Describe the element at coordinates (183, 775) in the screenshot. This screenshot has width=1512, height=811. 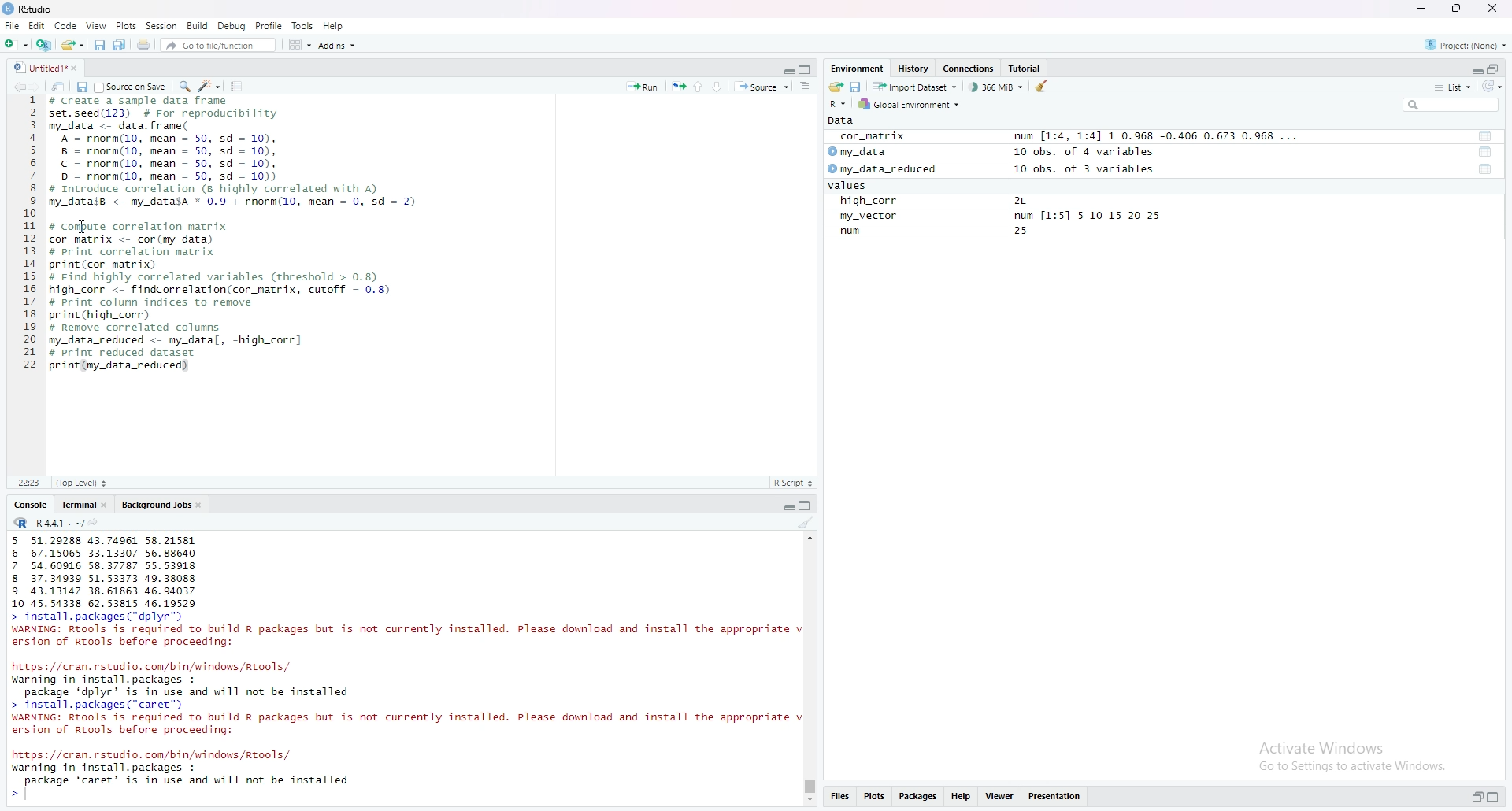
I see `https: //cran. rstudio. com/bin/windows/Rtools/
warning in install. packages :
package ‘caret’ is in use and will not be installed` at that location.